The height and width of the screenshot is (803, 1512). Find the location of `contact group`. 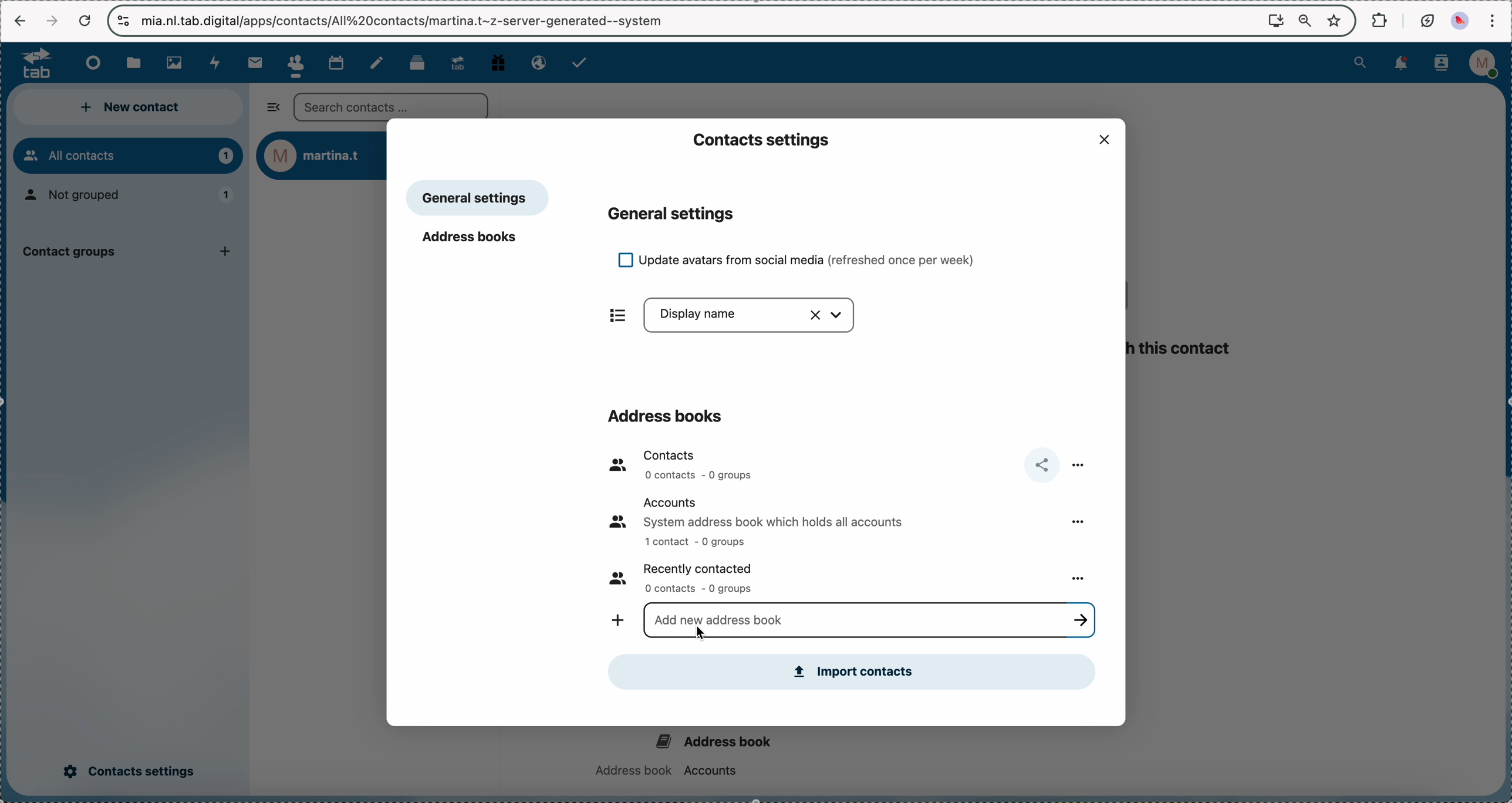

contact group is located at coordinates (127, 255).